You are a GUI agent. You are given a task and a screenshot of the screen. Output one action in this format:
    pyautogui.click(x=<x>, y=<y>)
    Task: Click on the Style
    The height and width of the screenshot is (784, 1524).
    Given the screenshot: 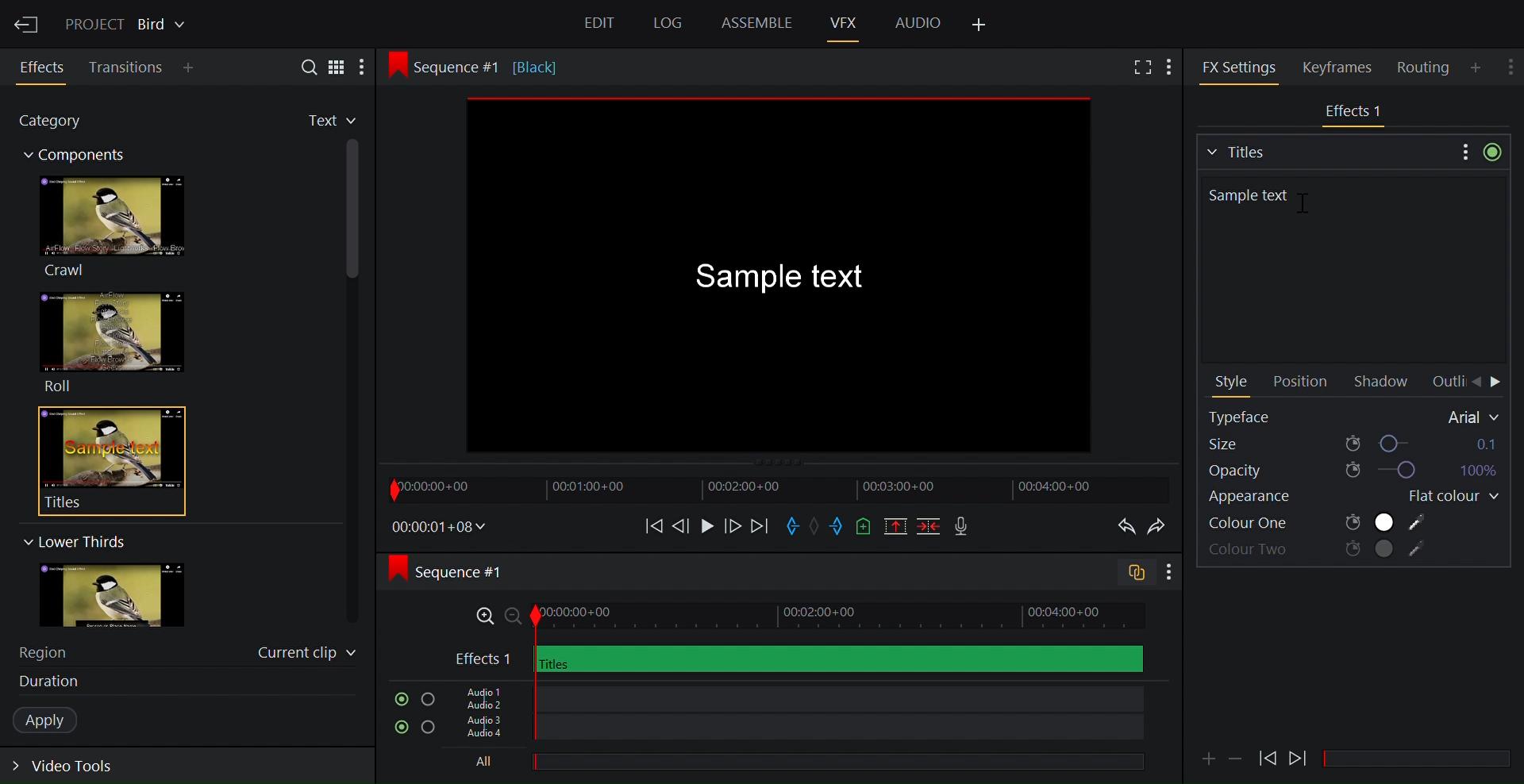 What is the action you would take?
    pyautogui.click(x=1233, y=383)
    